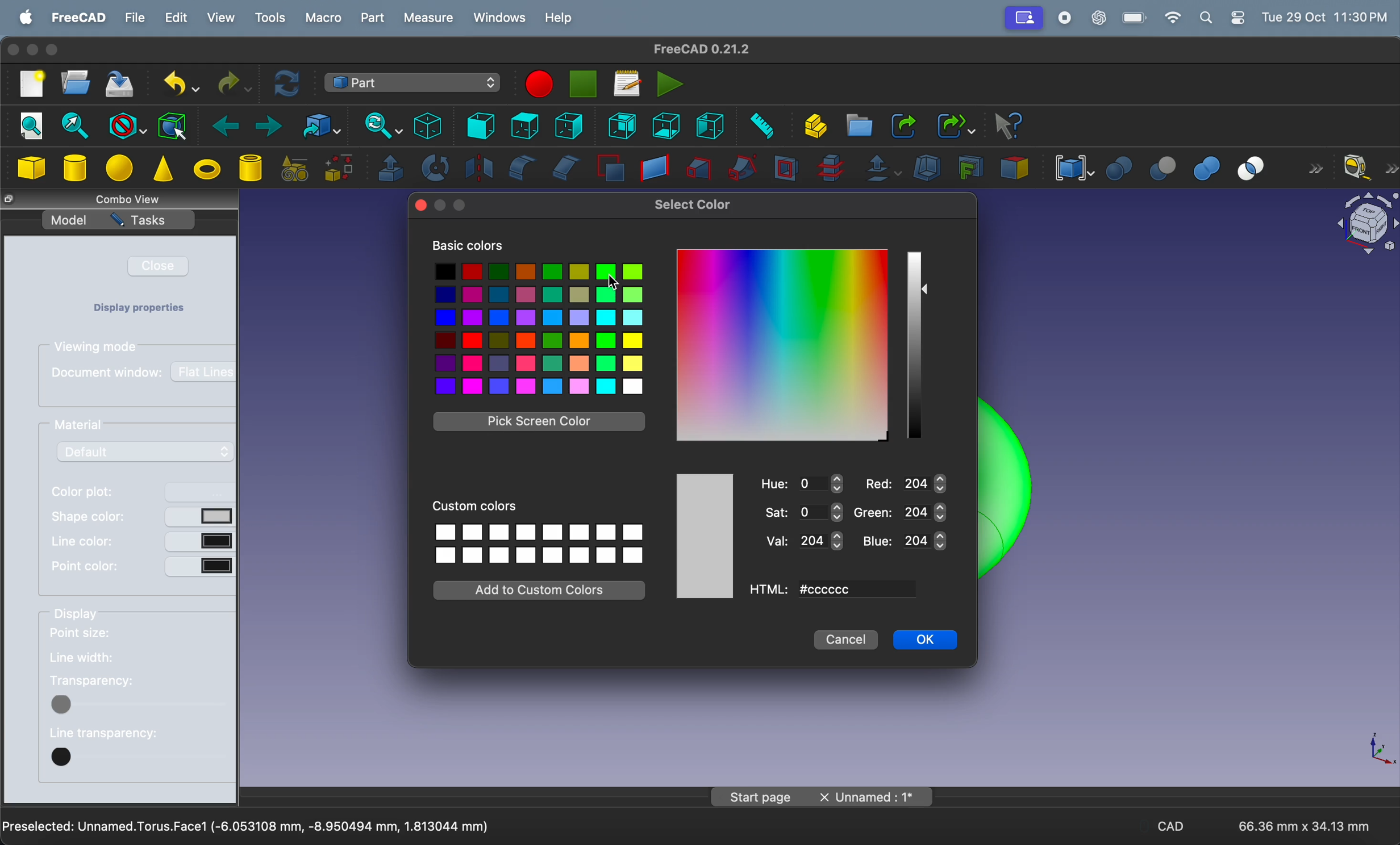 The height and width of the screenshot is (845, 1400). I want to click on frint view, so click(476, 126).